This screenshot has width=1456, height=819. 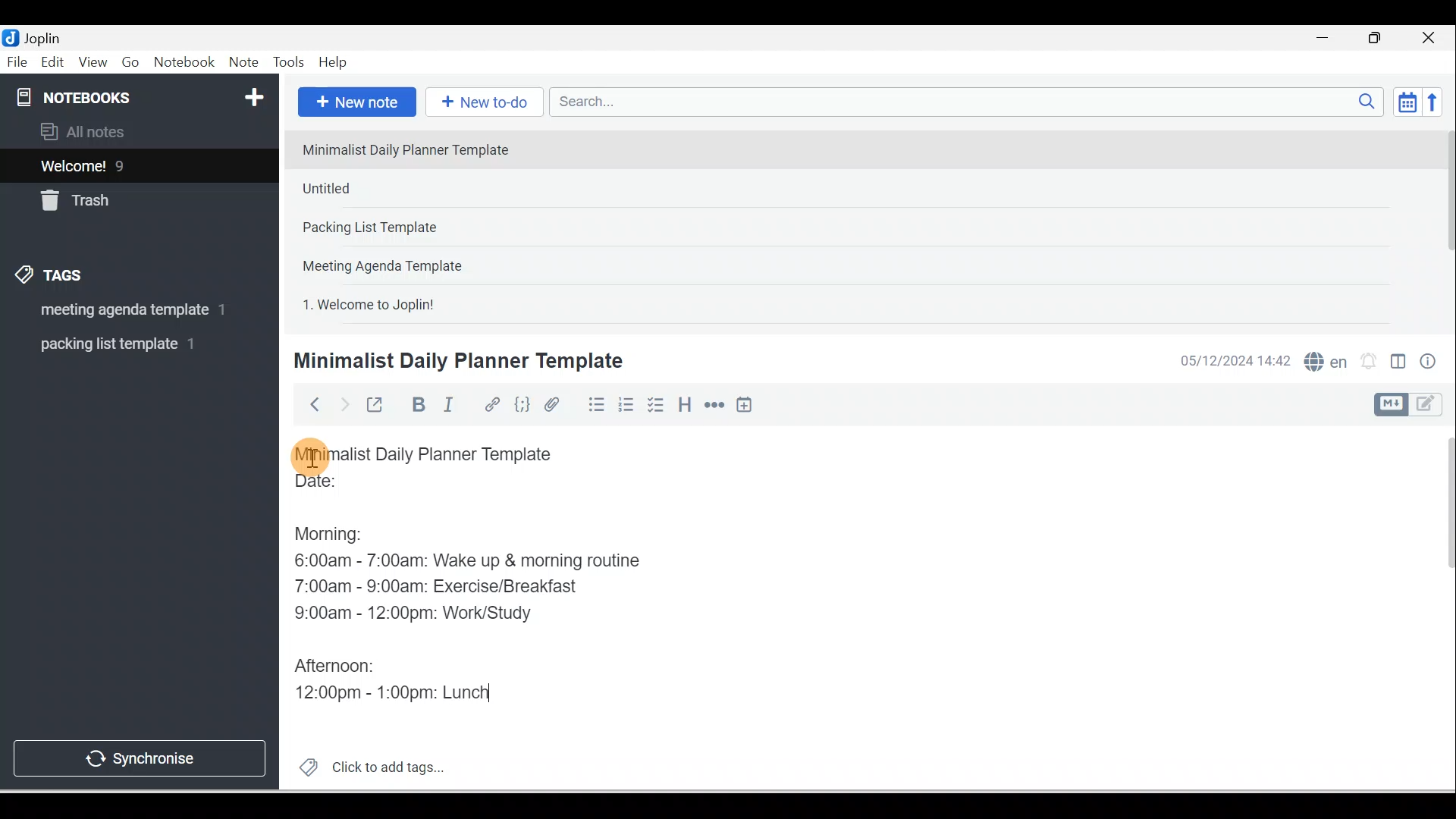 What do you see at coordinates (1429, 363) in the screenshot?
I see `Note properties` at bounding box center [1429, 363].